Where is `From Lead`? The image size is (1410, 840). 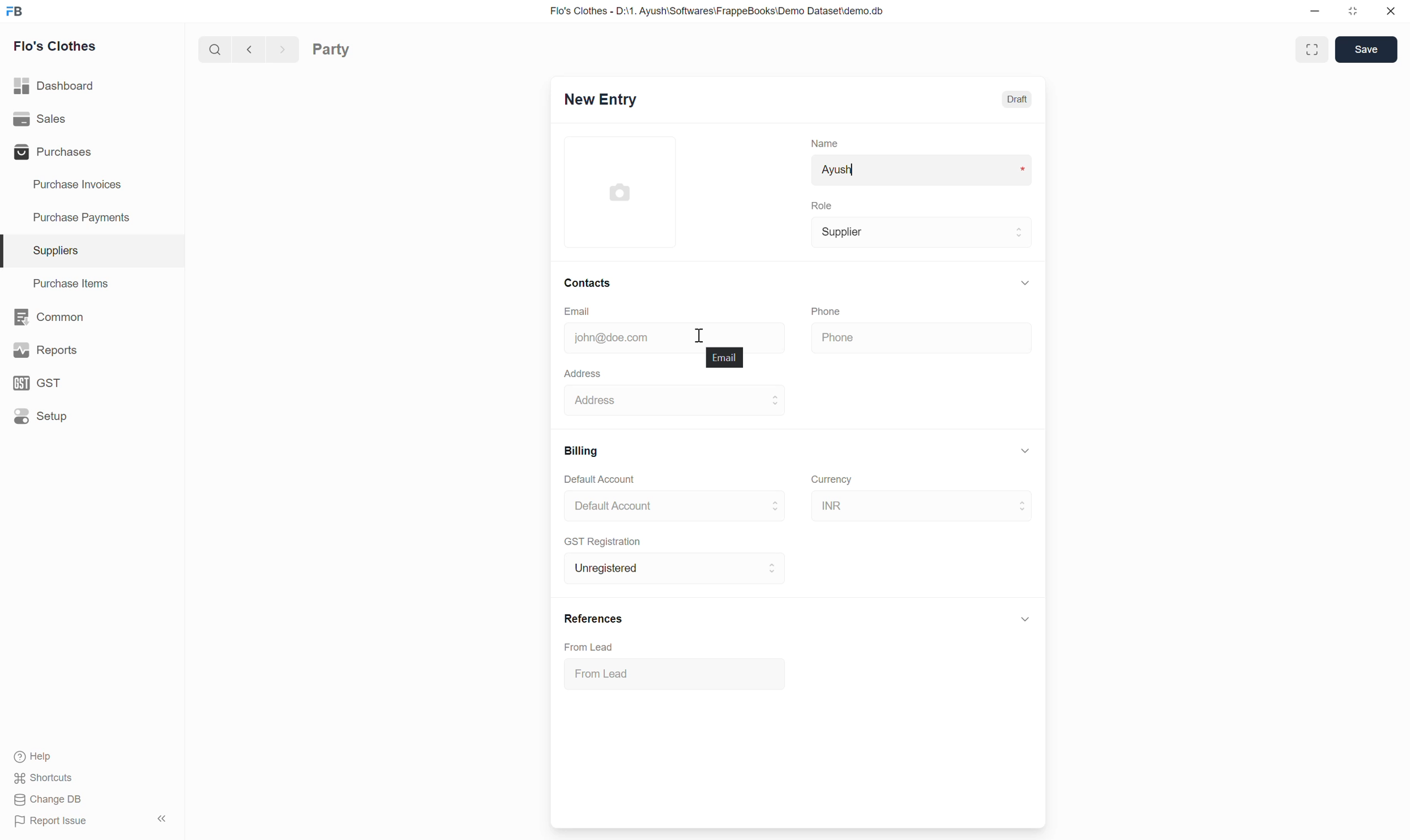
From Lead is located at coordinates (588, 647).